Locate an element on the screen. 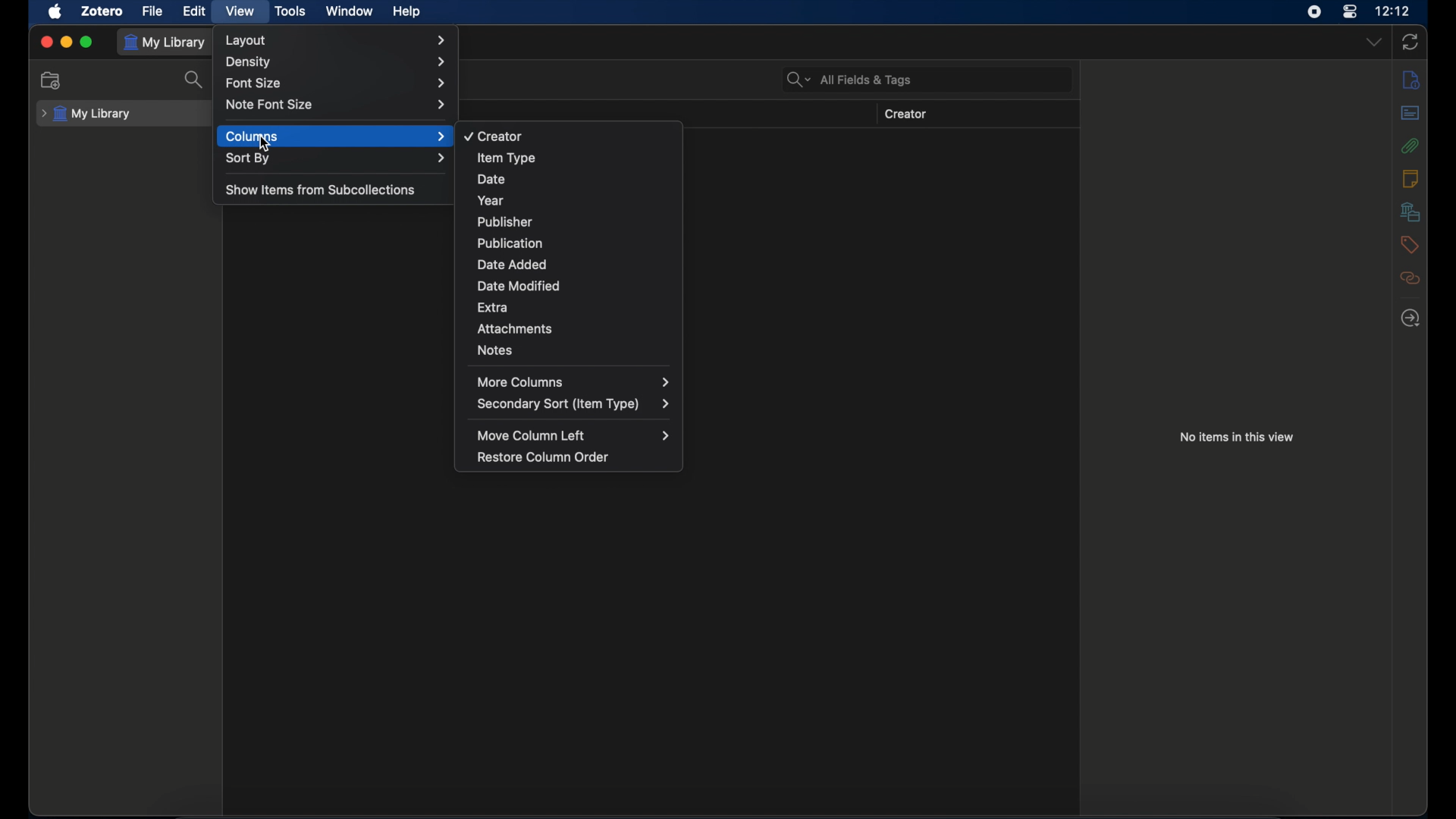  help is located at coordinates (406, 11).